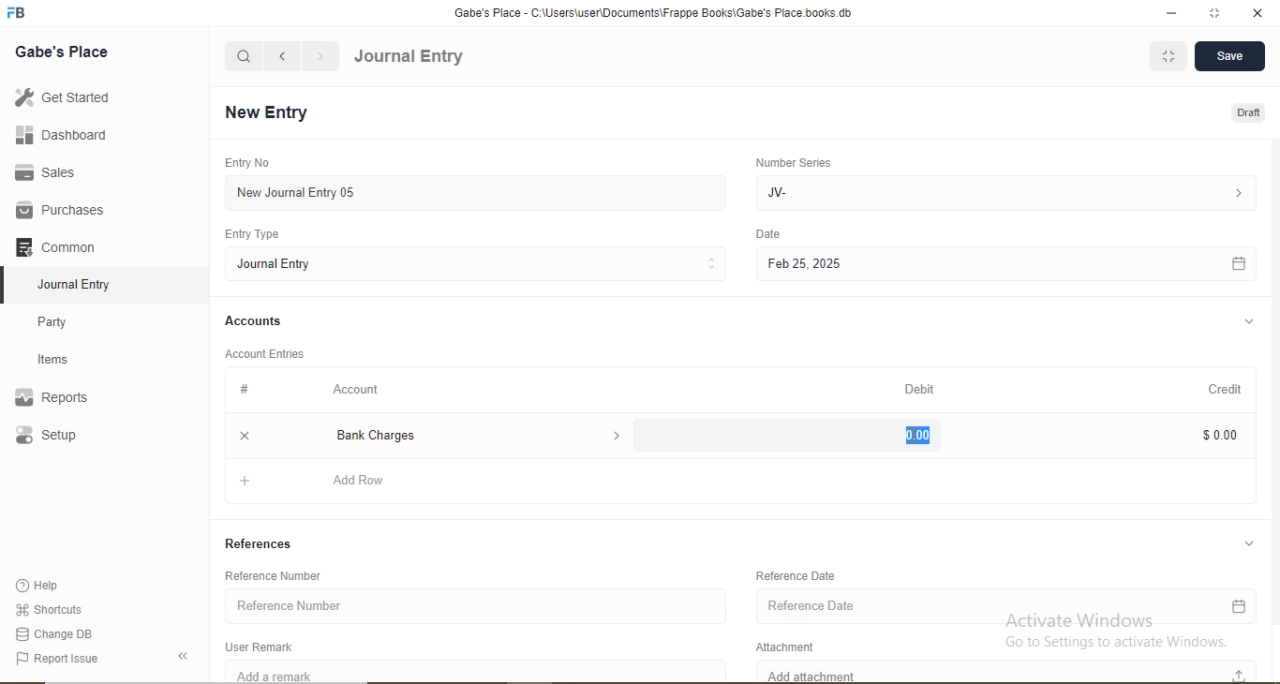  Describe the element at coordinates (8, 284) in the screenshot. I see `selected` at that location.